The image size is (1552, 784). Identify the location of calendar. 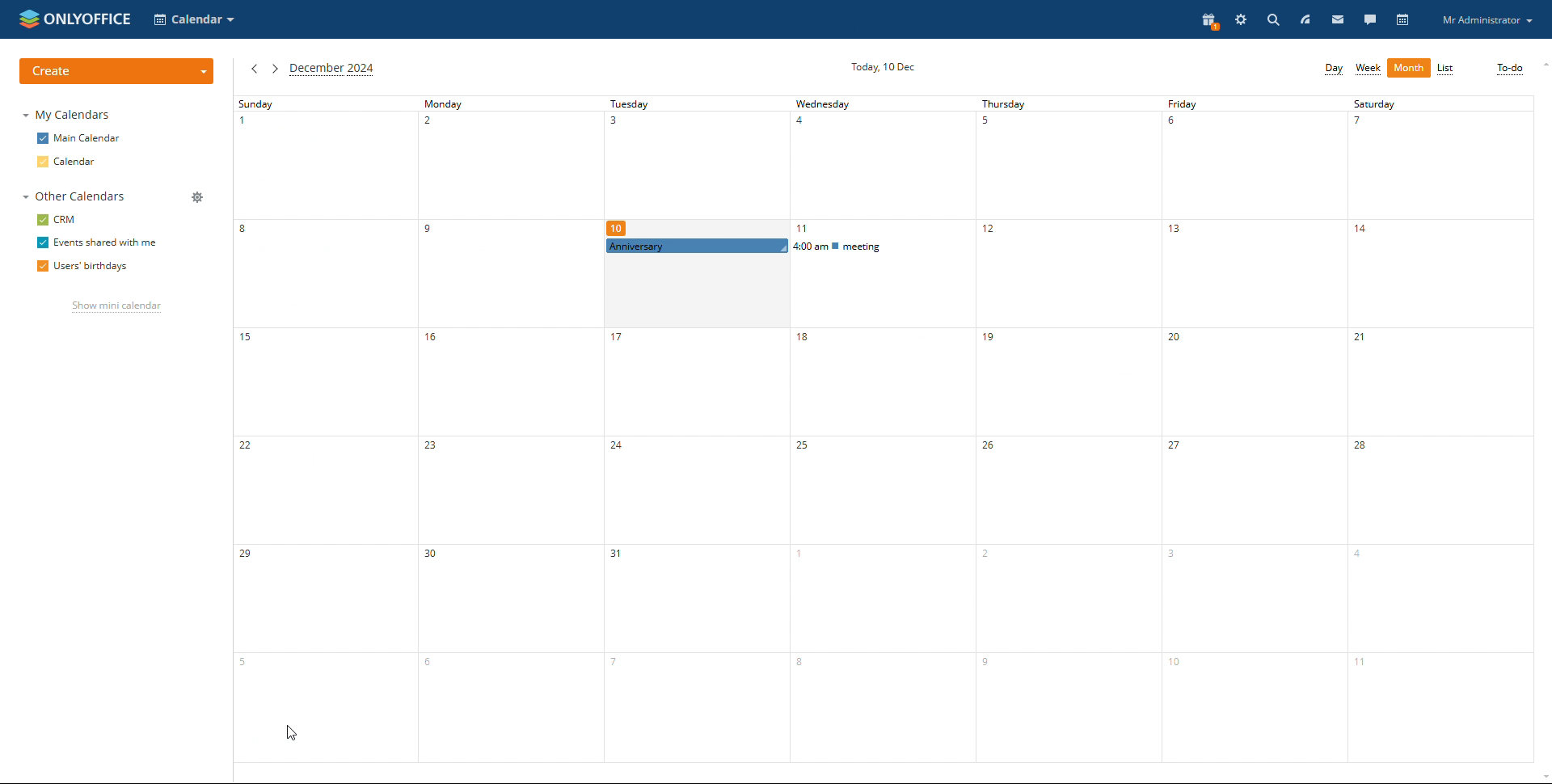
(70, 162).